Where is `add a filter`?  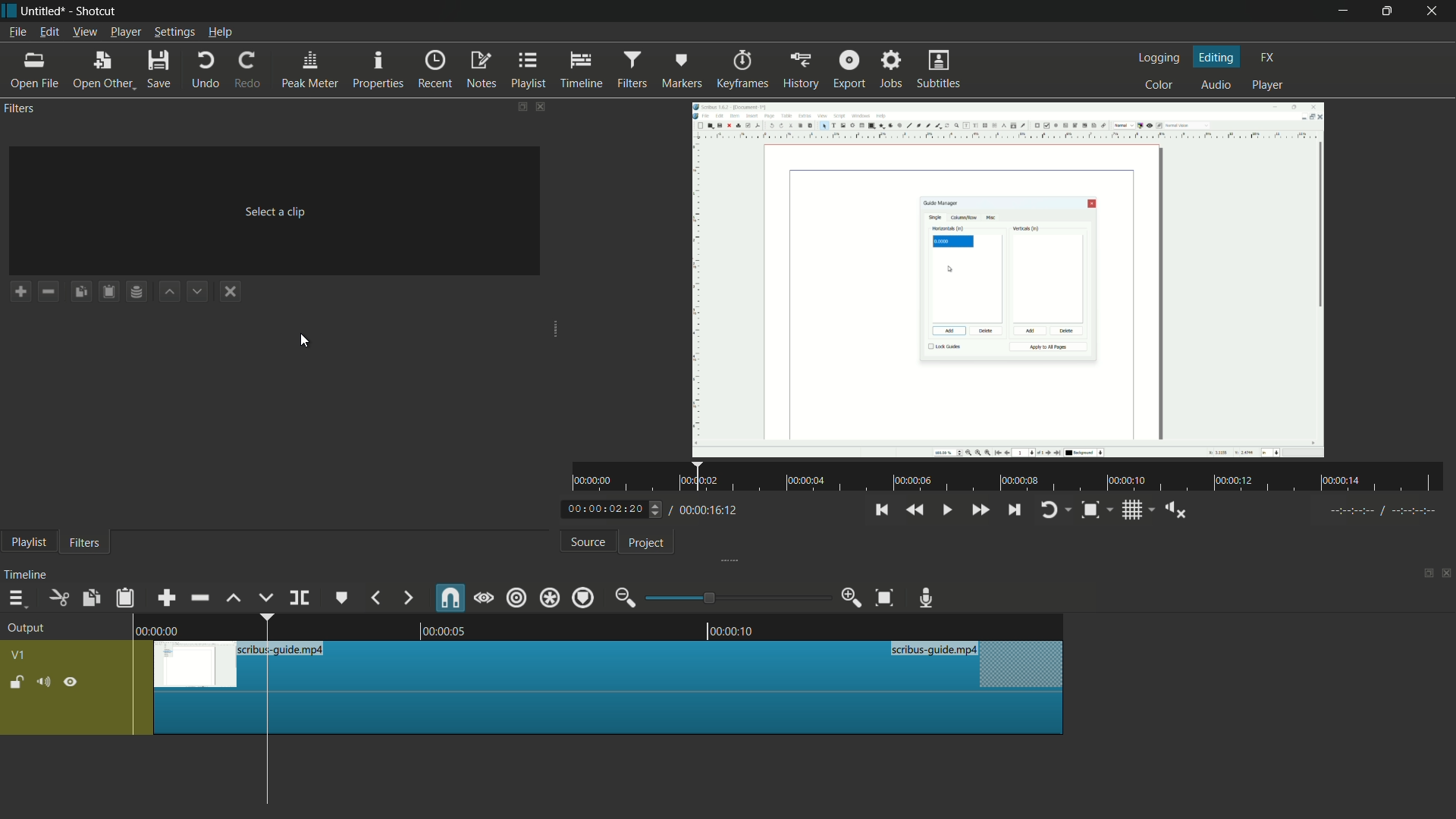 add a filter is located at coordinates (20, 291).